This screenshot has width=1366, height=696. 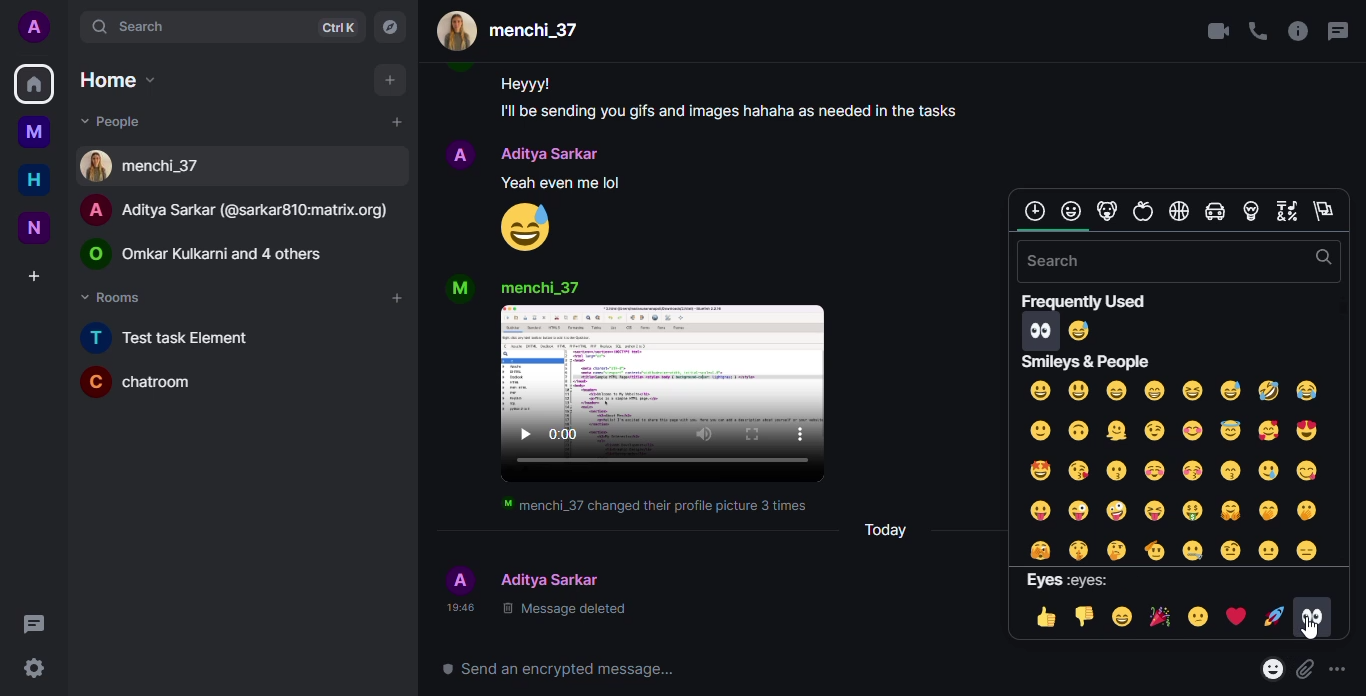 What do you see at coordinates (1170, 468) in the screenshot?
I see `smileys` at bounding box center [1170, 468].